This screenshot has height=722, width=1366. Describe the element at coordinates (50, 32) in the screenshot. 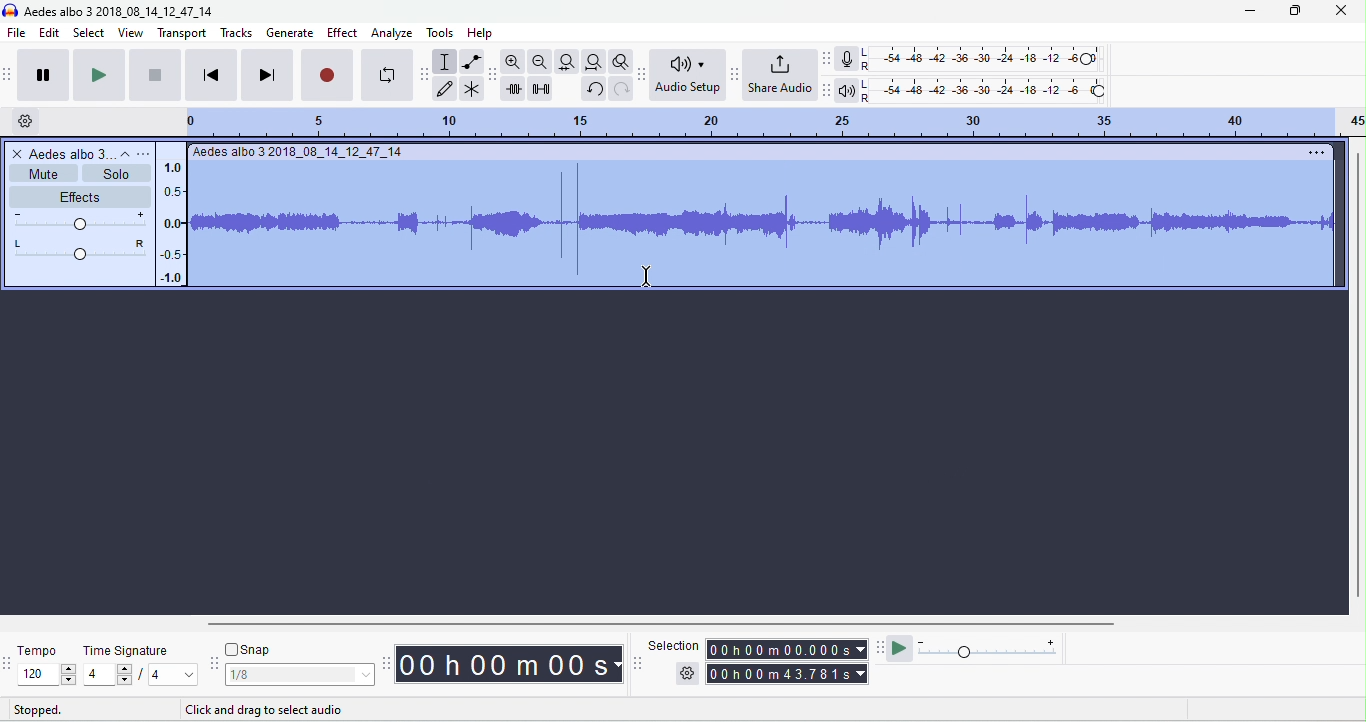

I see `edit` at that location.